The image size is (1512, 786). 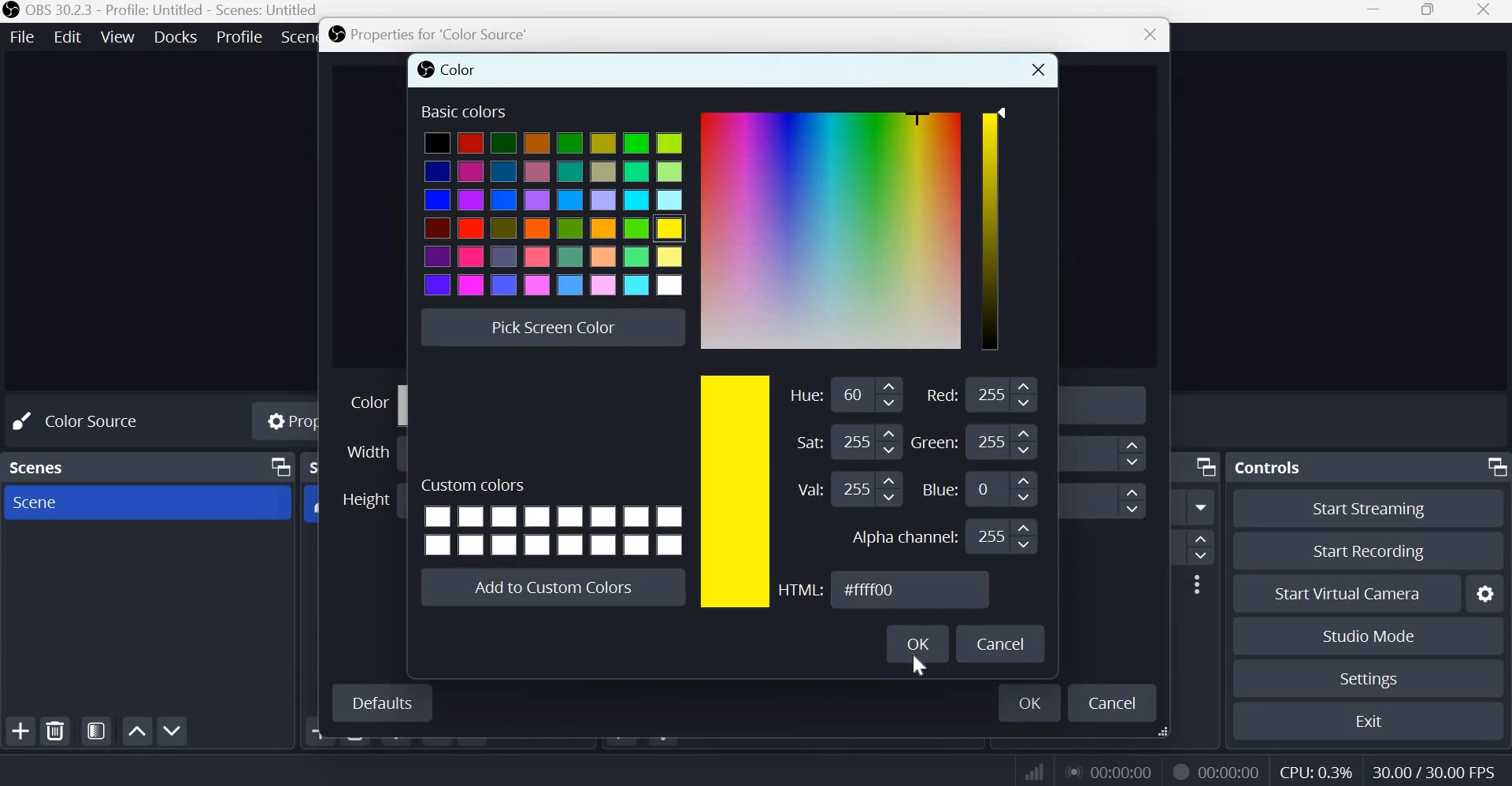 I want to click on cancel, so click(x=1114, y=702).